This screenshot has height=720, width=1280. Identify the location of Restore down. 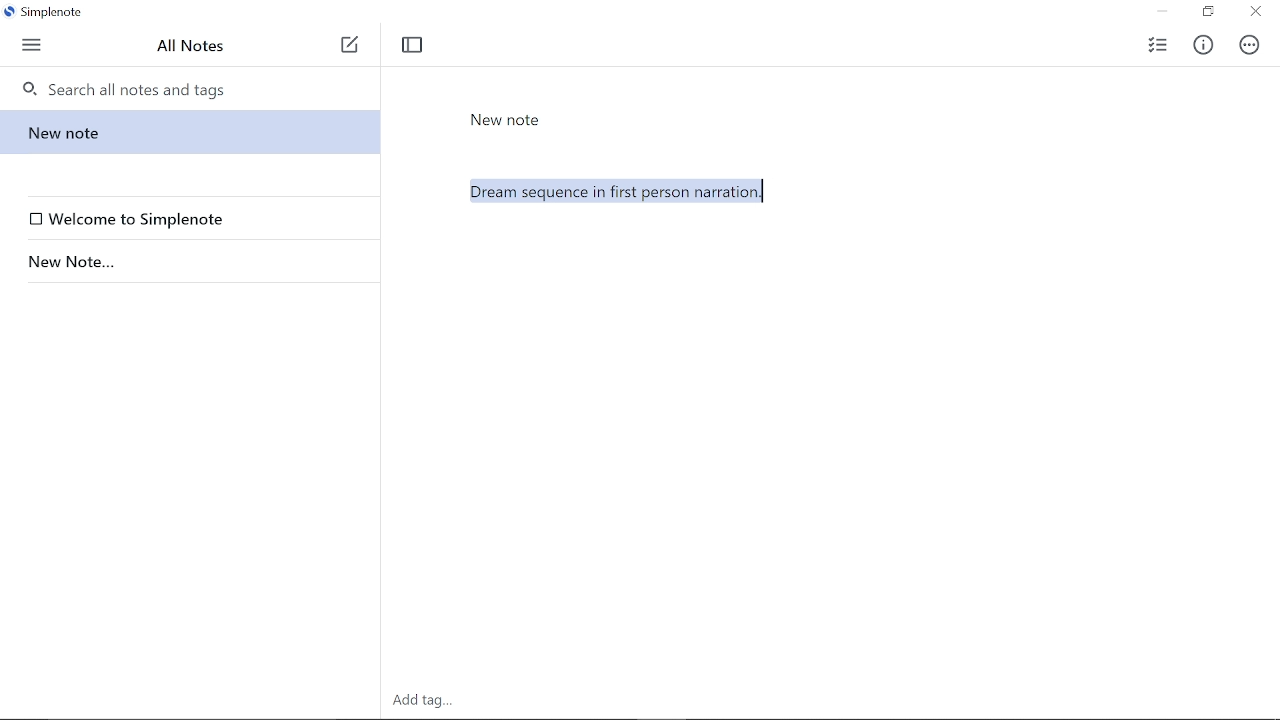
(1207, 13).